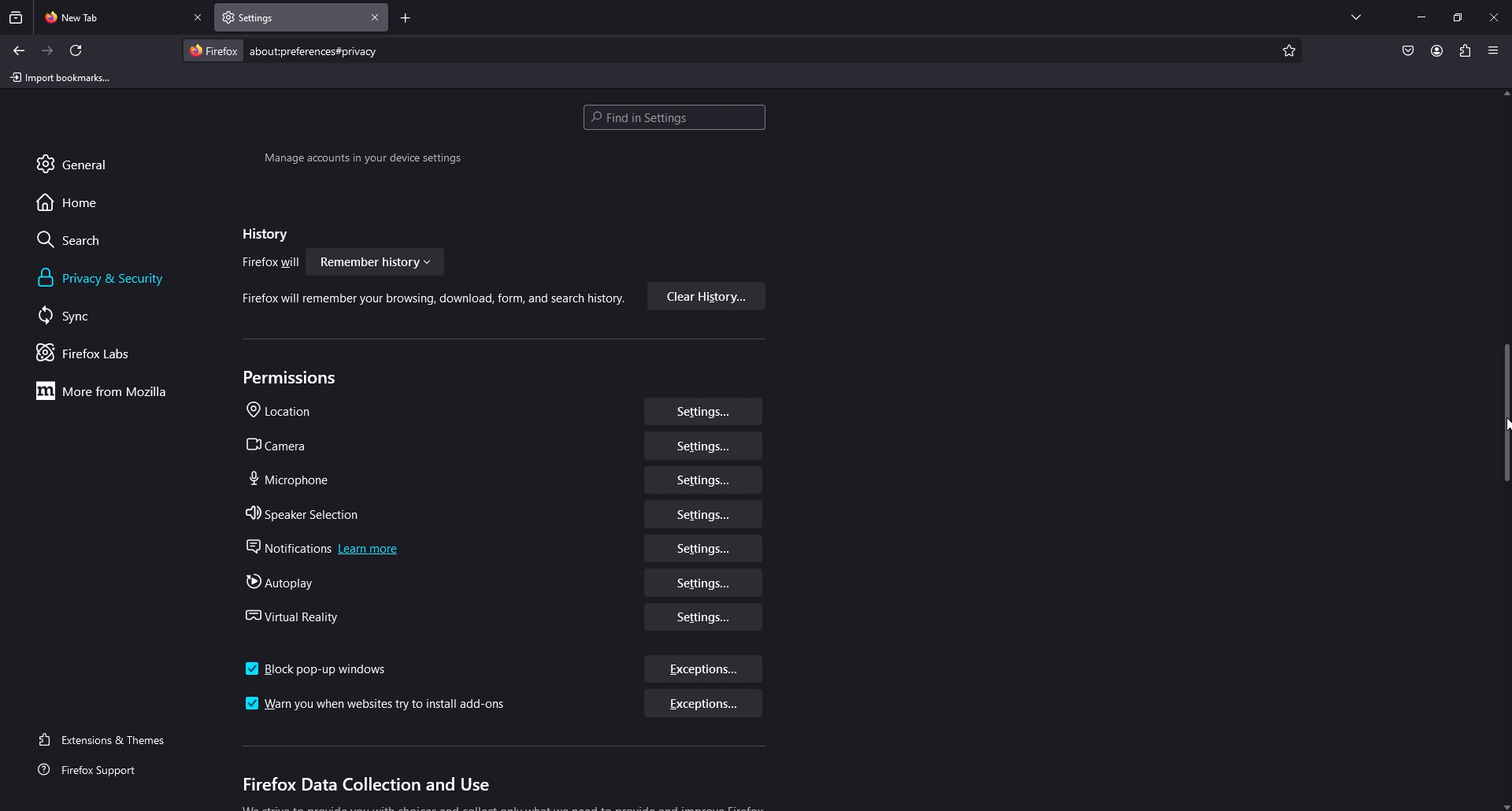 This screenshot has height=811, width=1512. I want to click on search, so click(83, 239).